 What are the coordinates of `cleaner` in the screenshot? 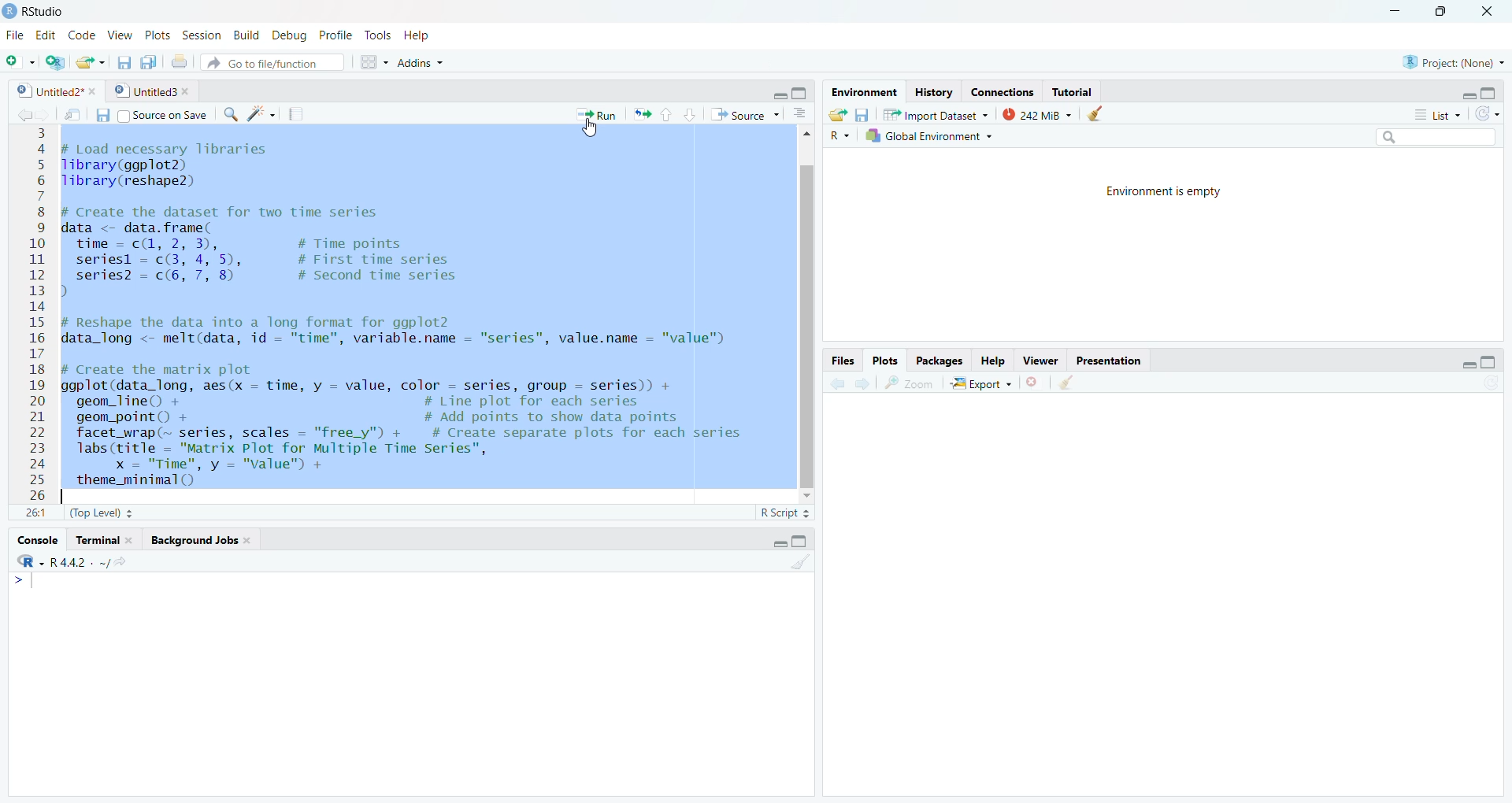 It's located at (1102, 113).